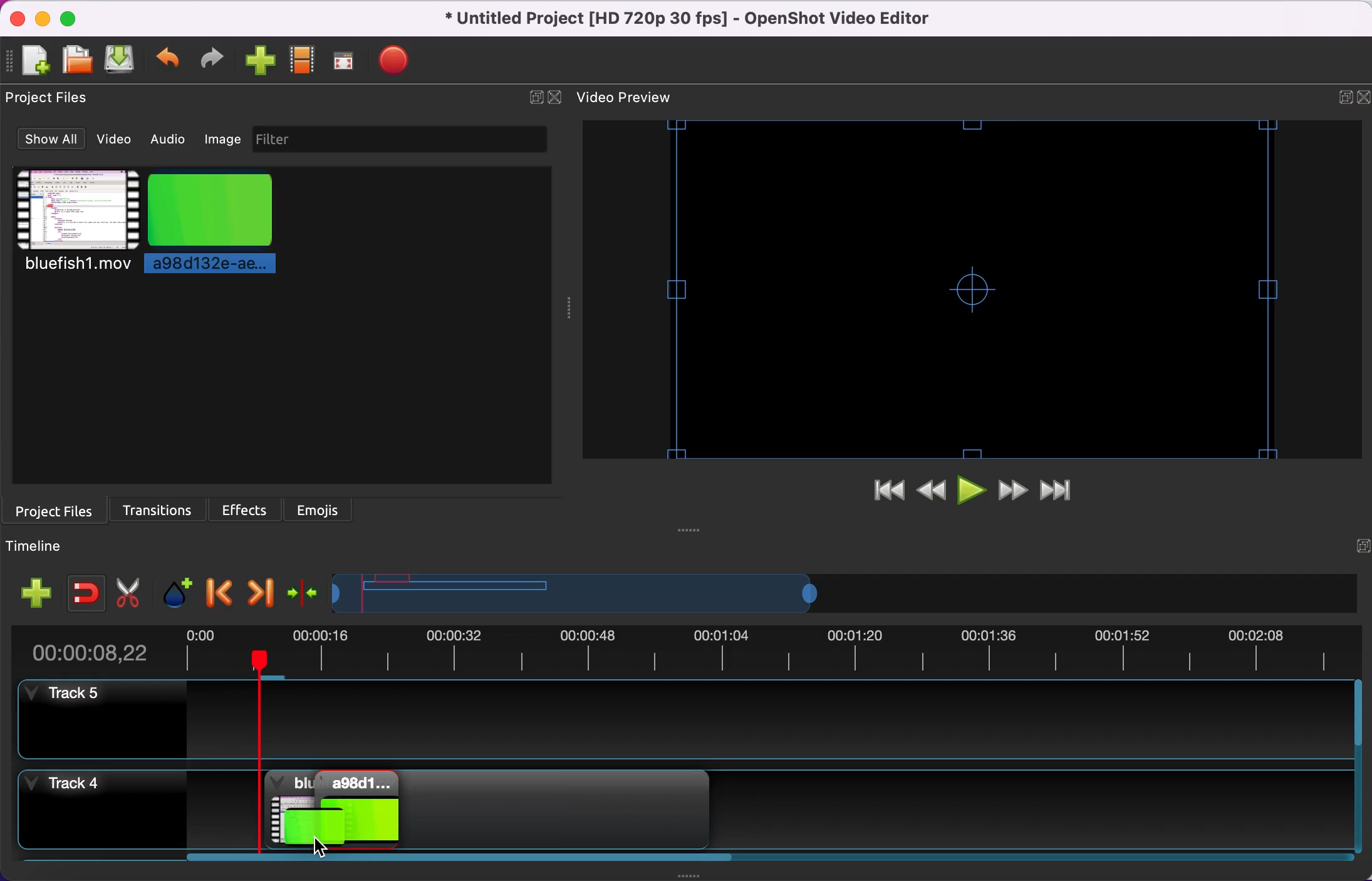 Image resolution: width=1372 pixels, height=881 pixels. I want to click on , so click(16, 18).